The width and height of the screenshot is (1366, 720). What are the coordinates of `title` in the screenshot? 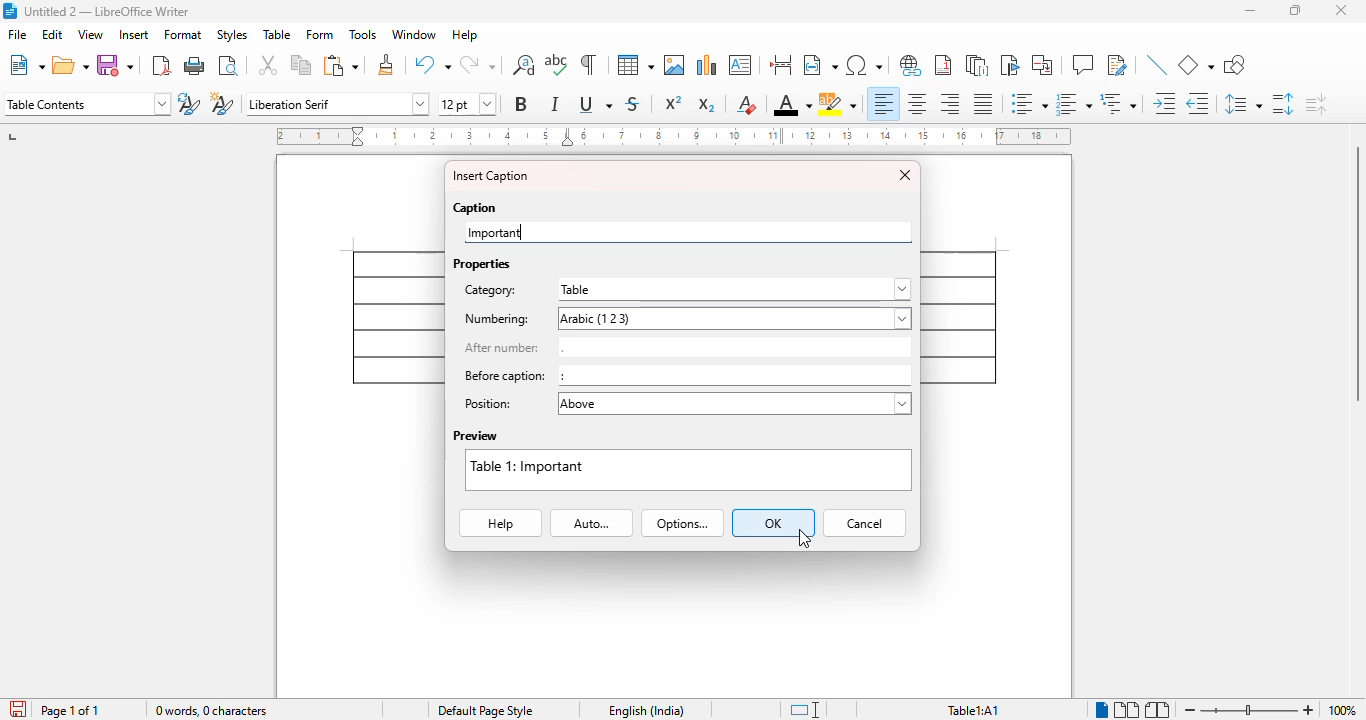 It's located at (107, 12).